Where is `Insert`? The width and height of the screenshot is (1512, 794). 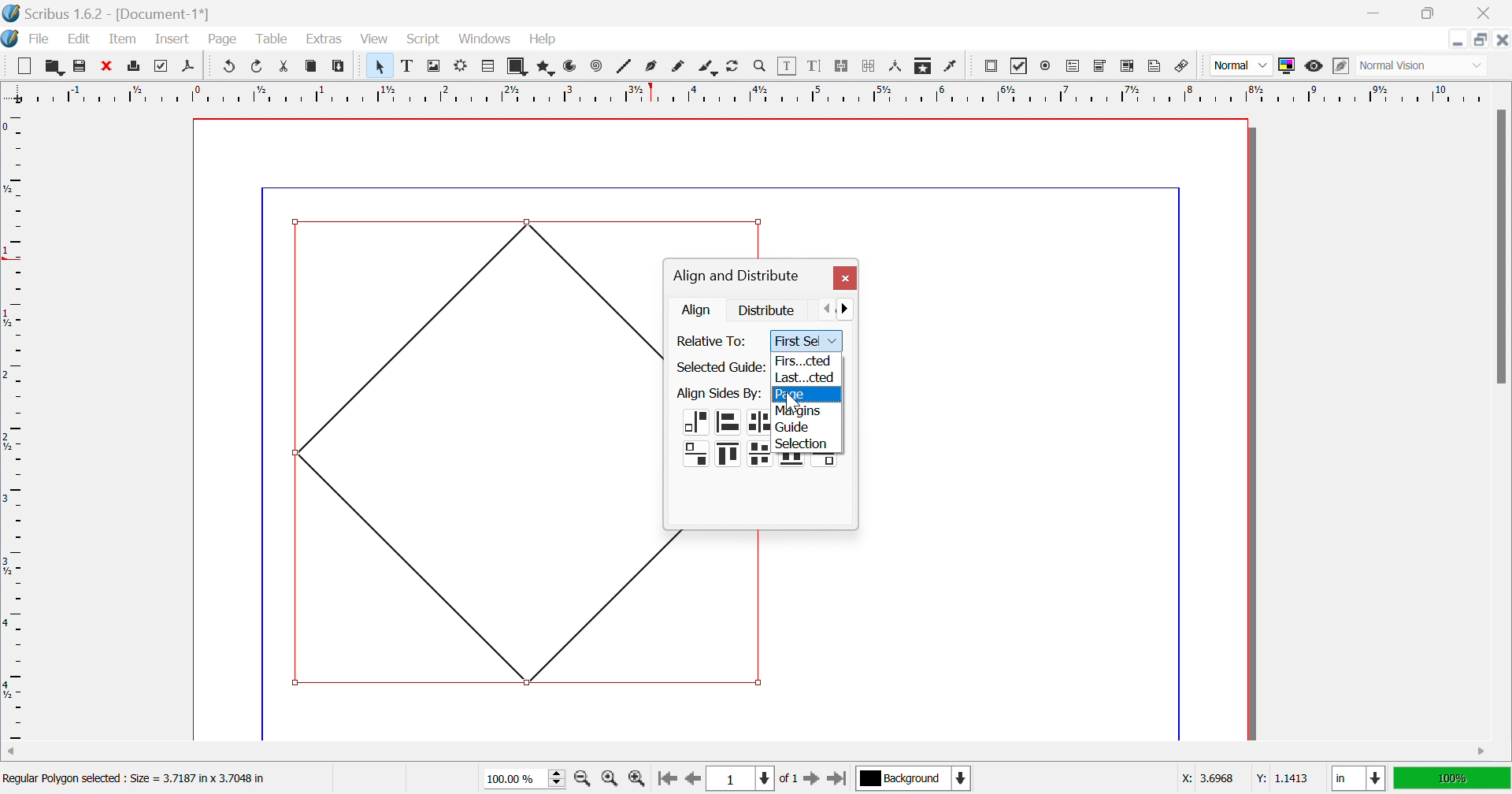
Insert is located at coordinates (172, 38).